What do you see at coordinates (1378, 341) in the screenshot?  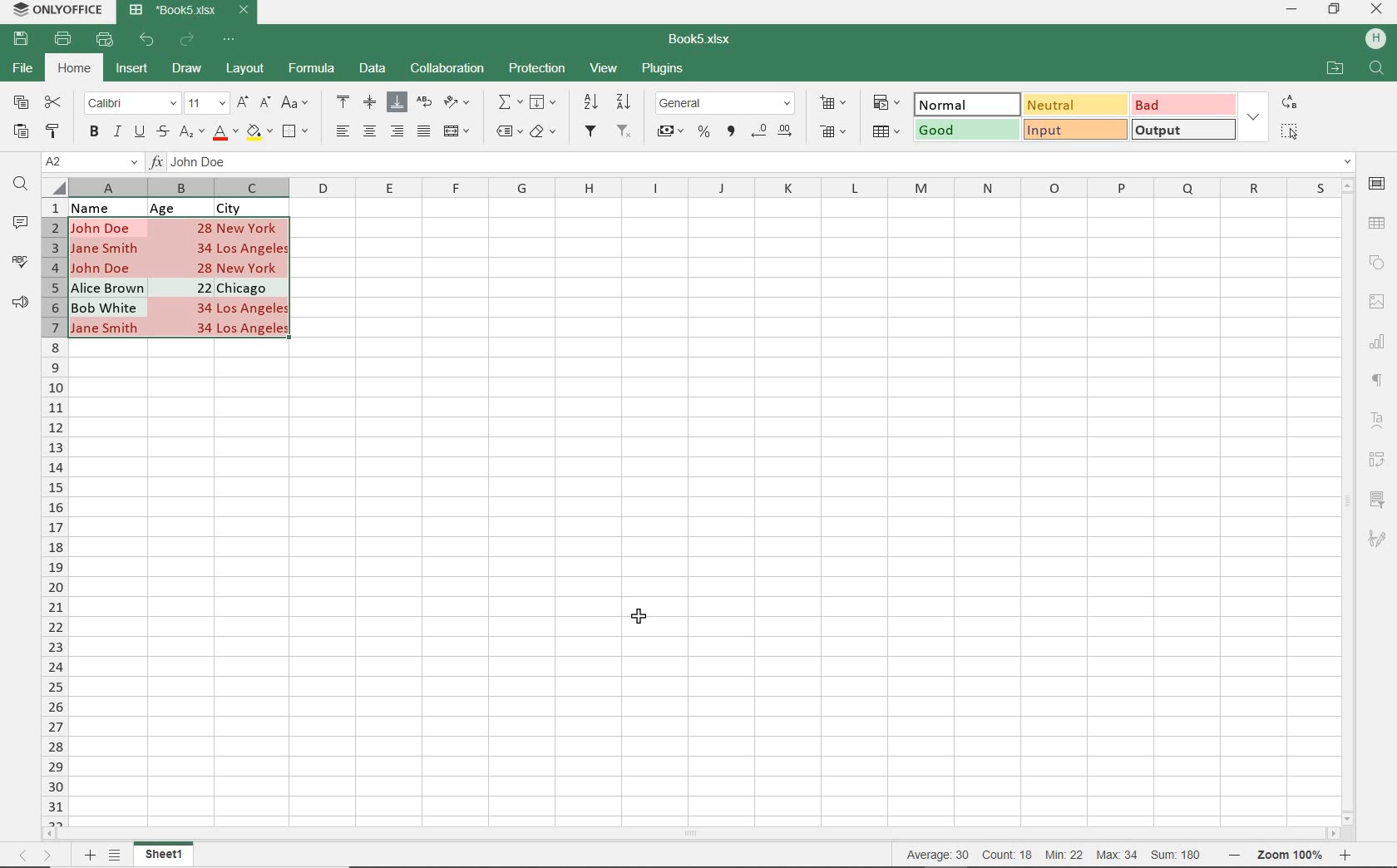 I see `CHART` at bounding box center [1378, 341].